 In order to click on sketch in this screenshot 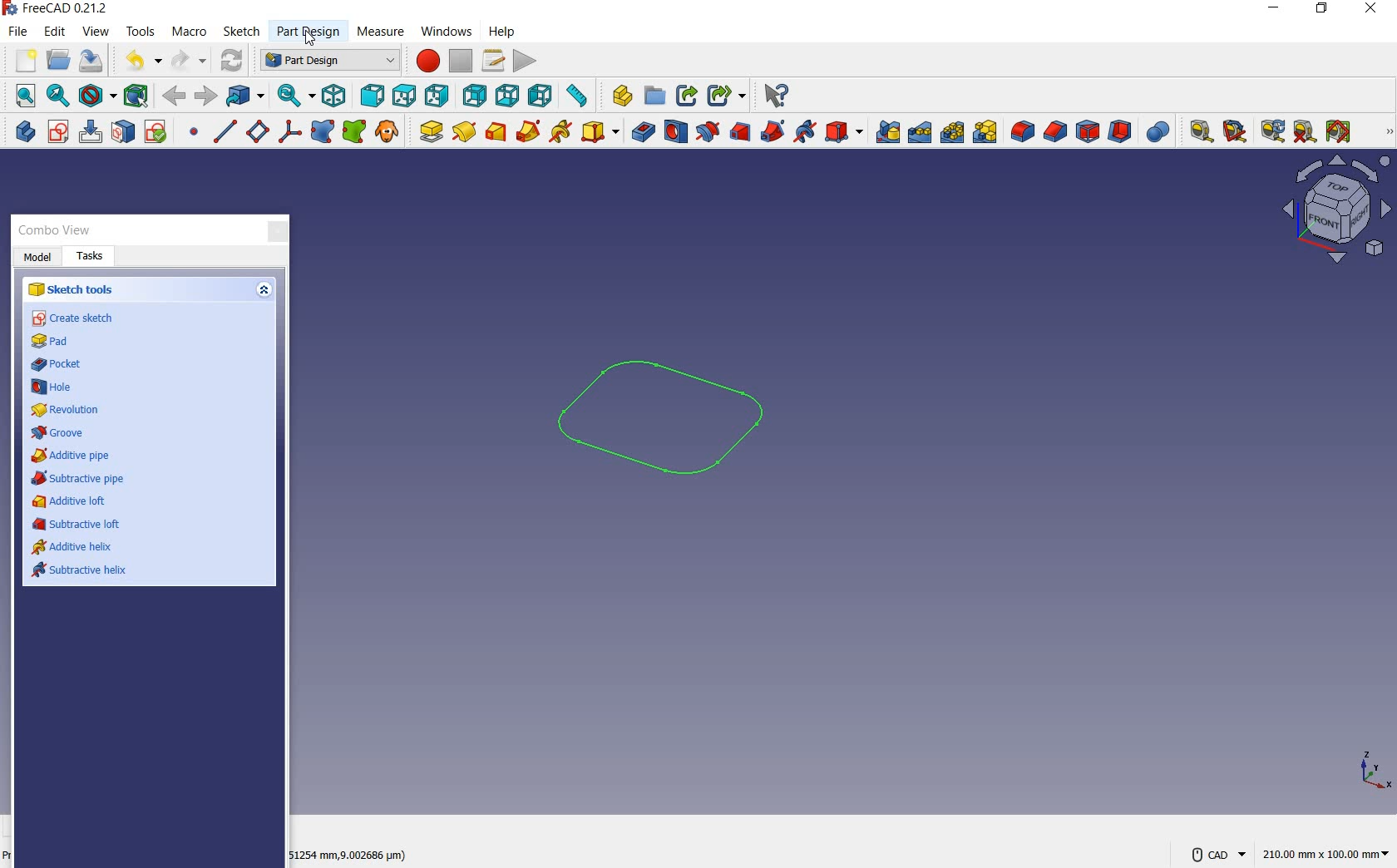, I will do `click(659, 427)`.